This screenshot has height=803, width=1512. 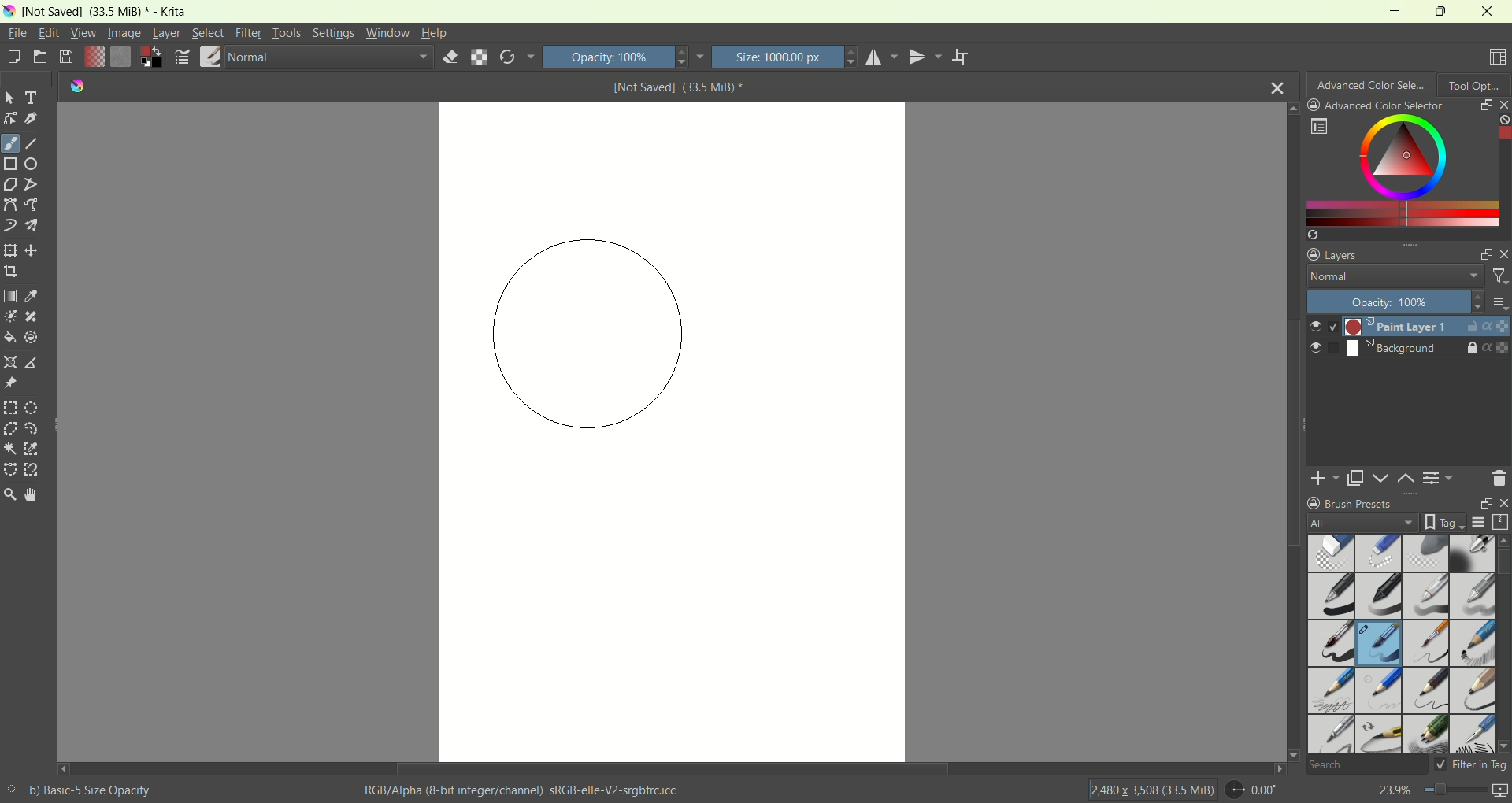 I want to click on wrap around mode, so click(x=962, y=57).